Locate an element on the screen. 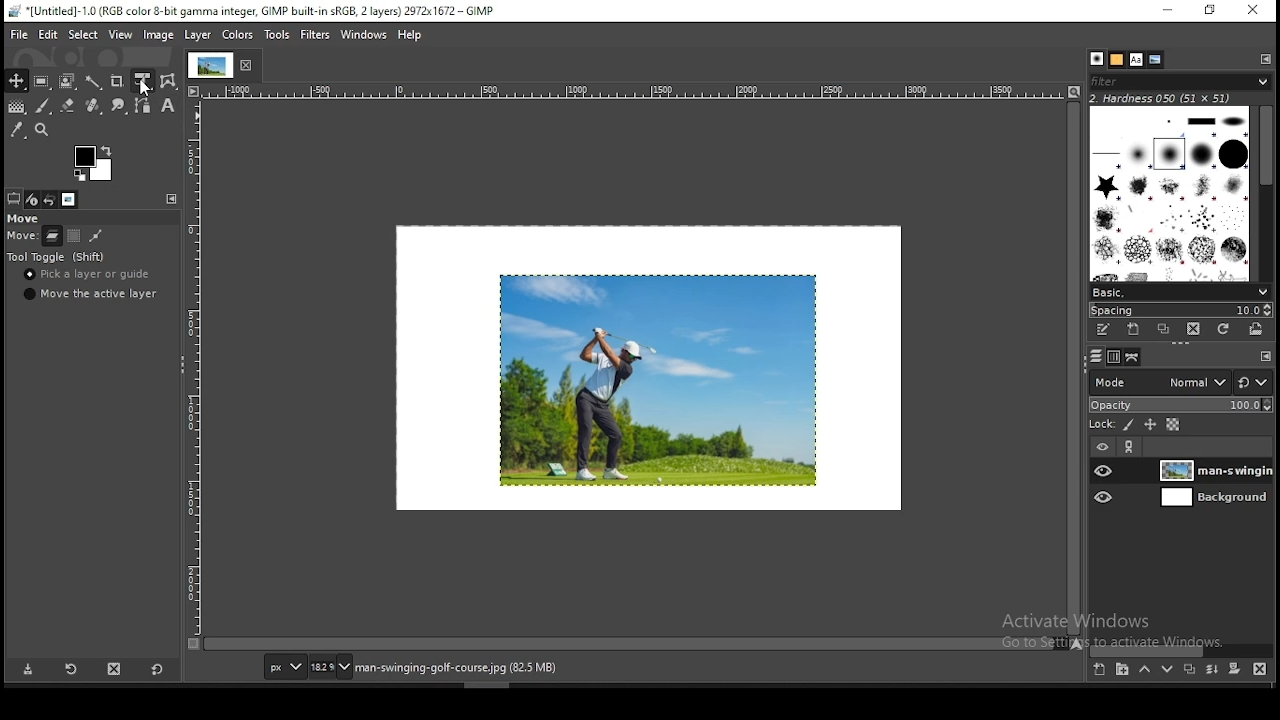 This screenshot has width=1280, height=720. *[untitled]-1.0(rgb color 8-bit gamma integer, gimp built-in sRGB, 2 layers) 2972x1672 - gimp is located at coordinates (254, 13).